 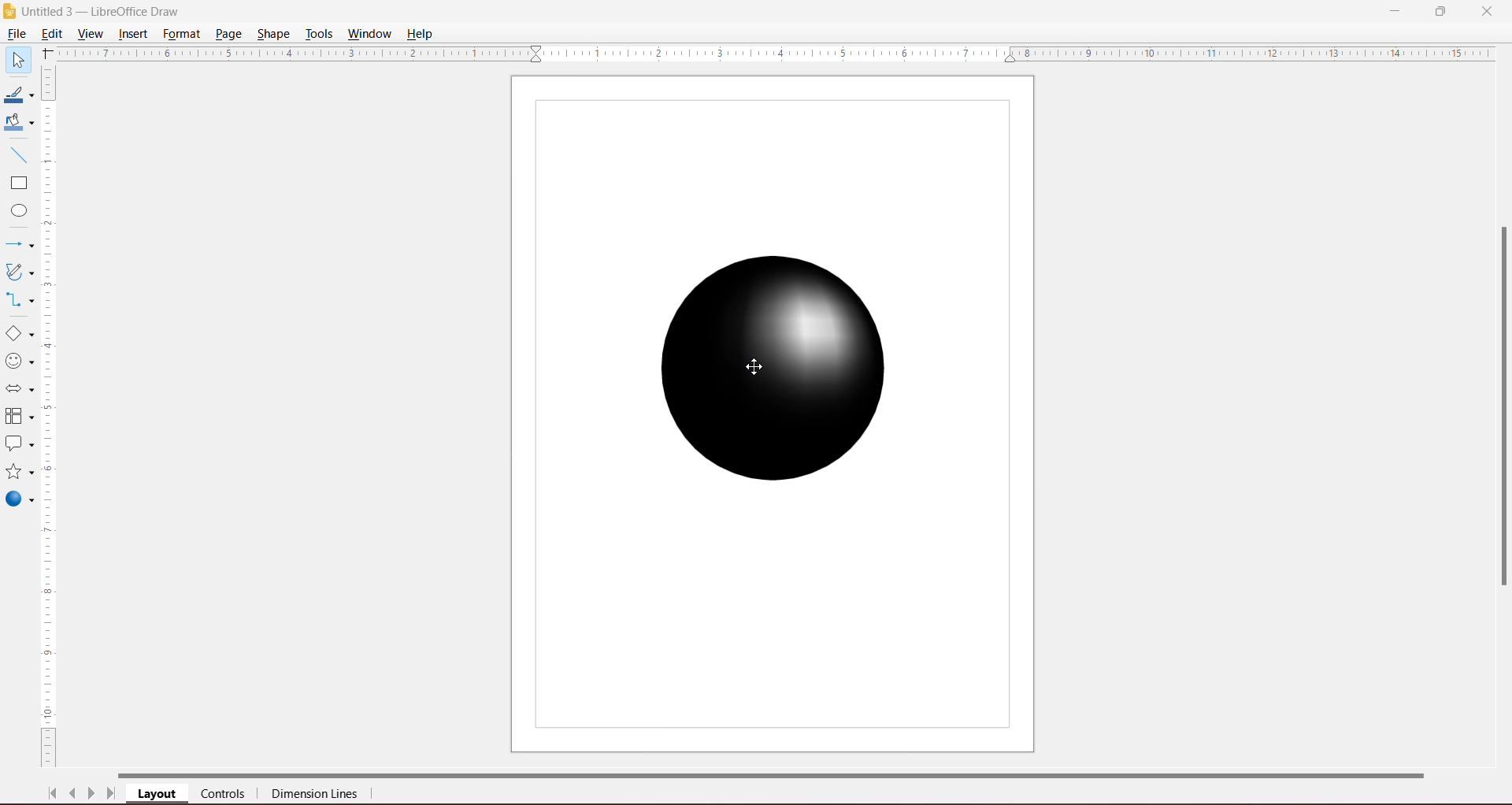 What do you see at coordinates (228, 33) in the screenshot?
I see `Page` at bounding box center [228, 33].